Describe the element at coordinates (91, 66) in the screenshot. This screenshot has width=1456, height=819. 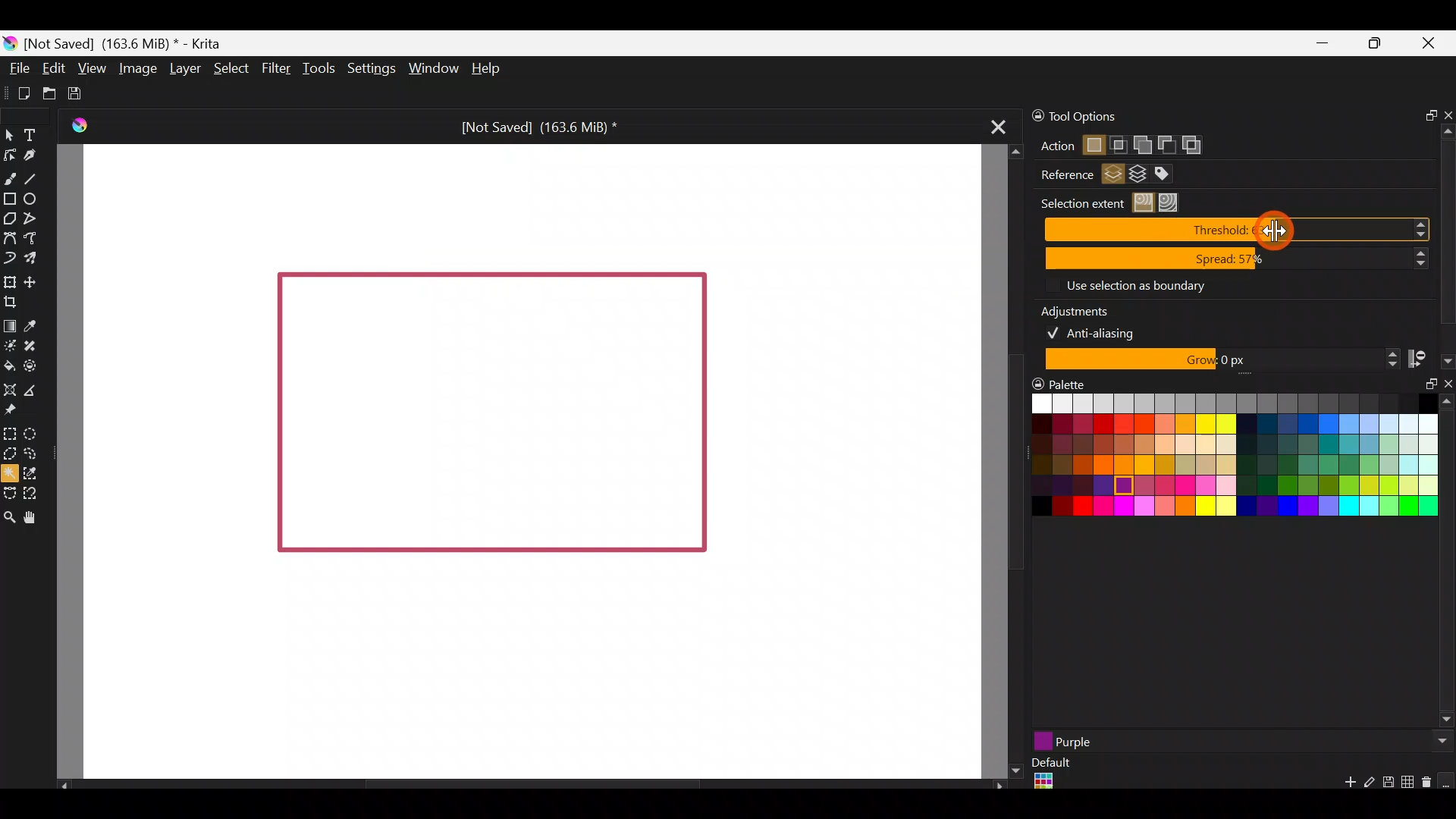
I see `View` at that location.